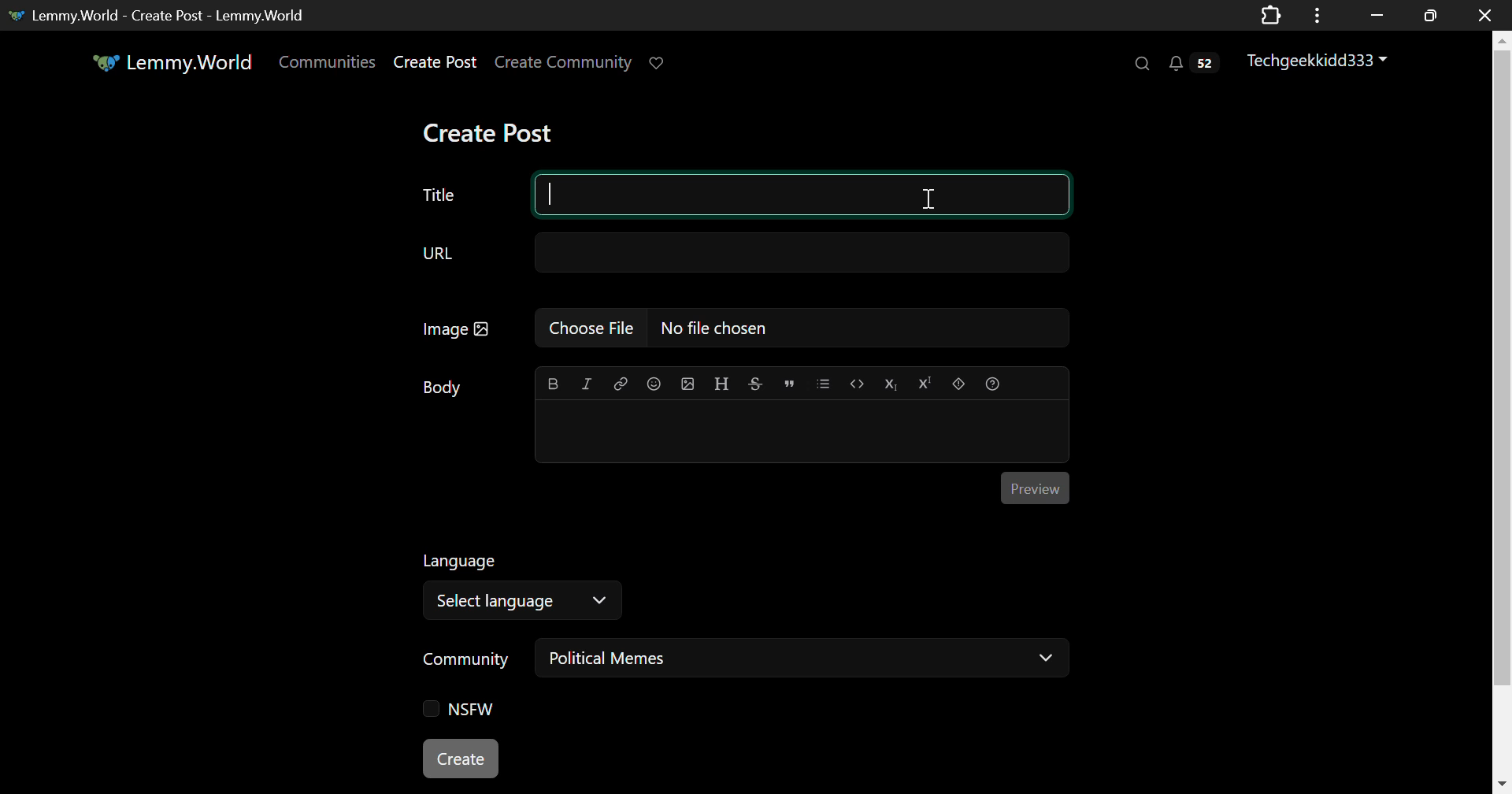  Describe the element at coordinates (551, 383) in the screenshot. I see `Bold` at that location.